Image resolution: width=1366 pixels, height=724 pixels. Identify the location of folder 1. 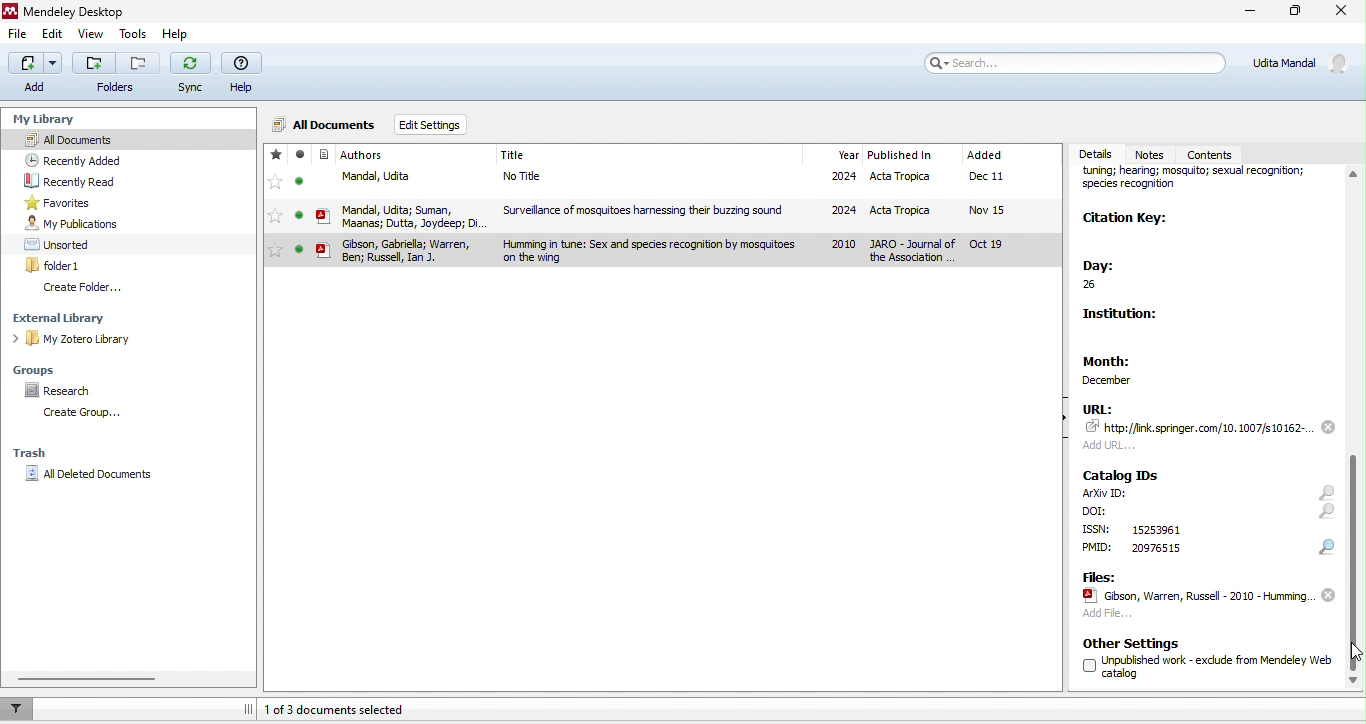
(56, 265).